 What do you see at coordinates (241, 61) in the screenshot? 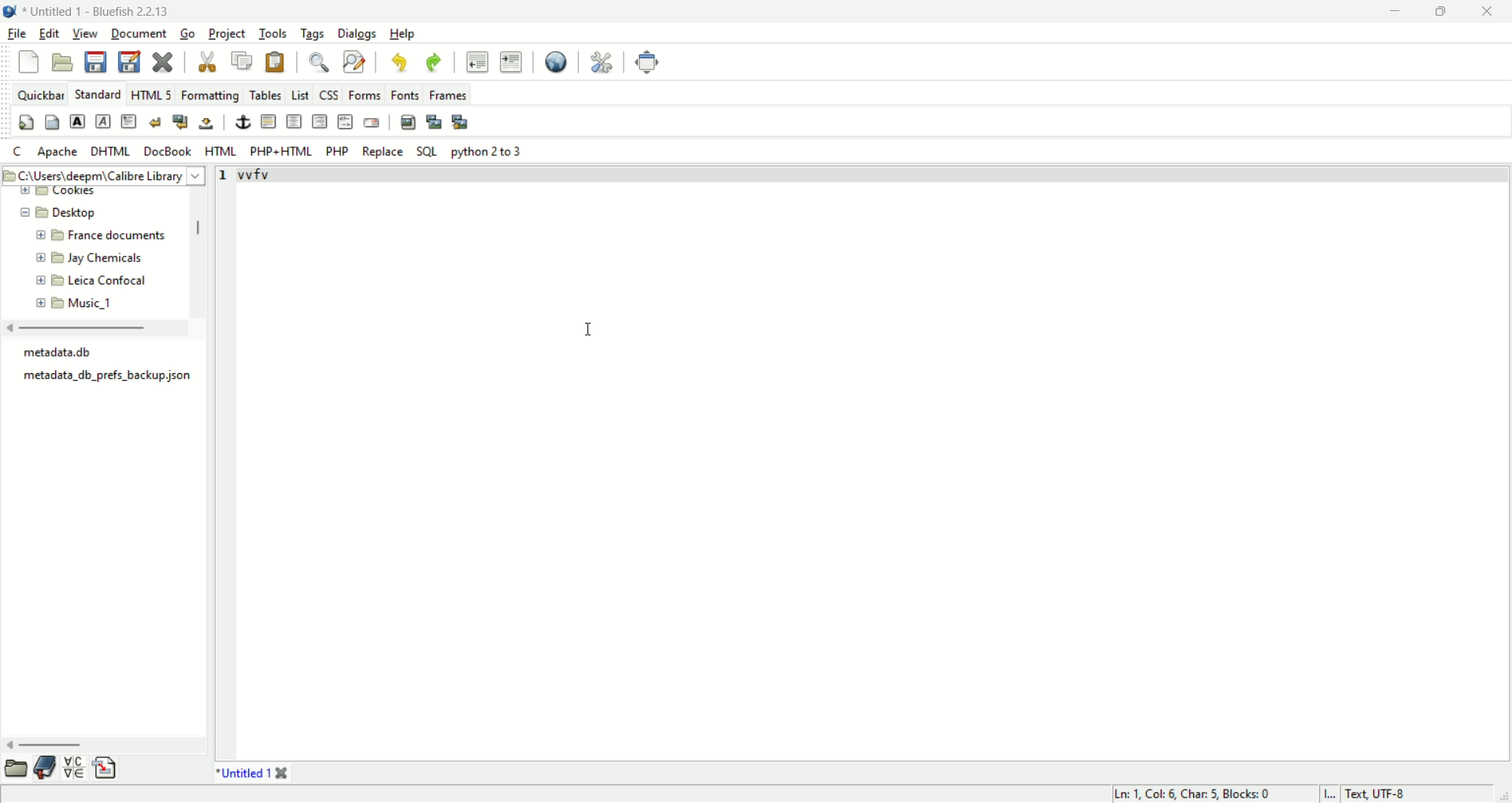
I see `copy` at bounding box center [241, 61].